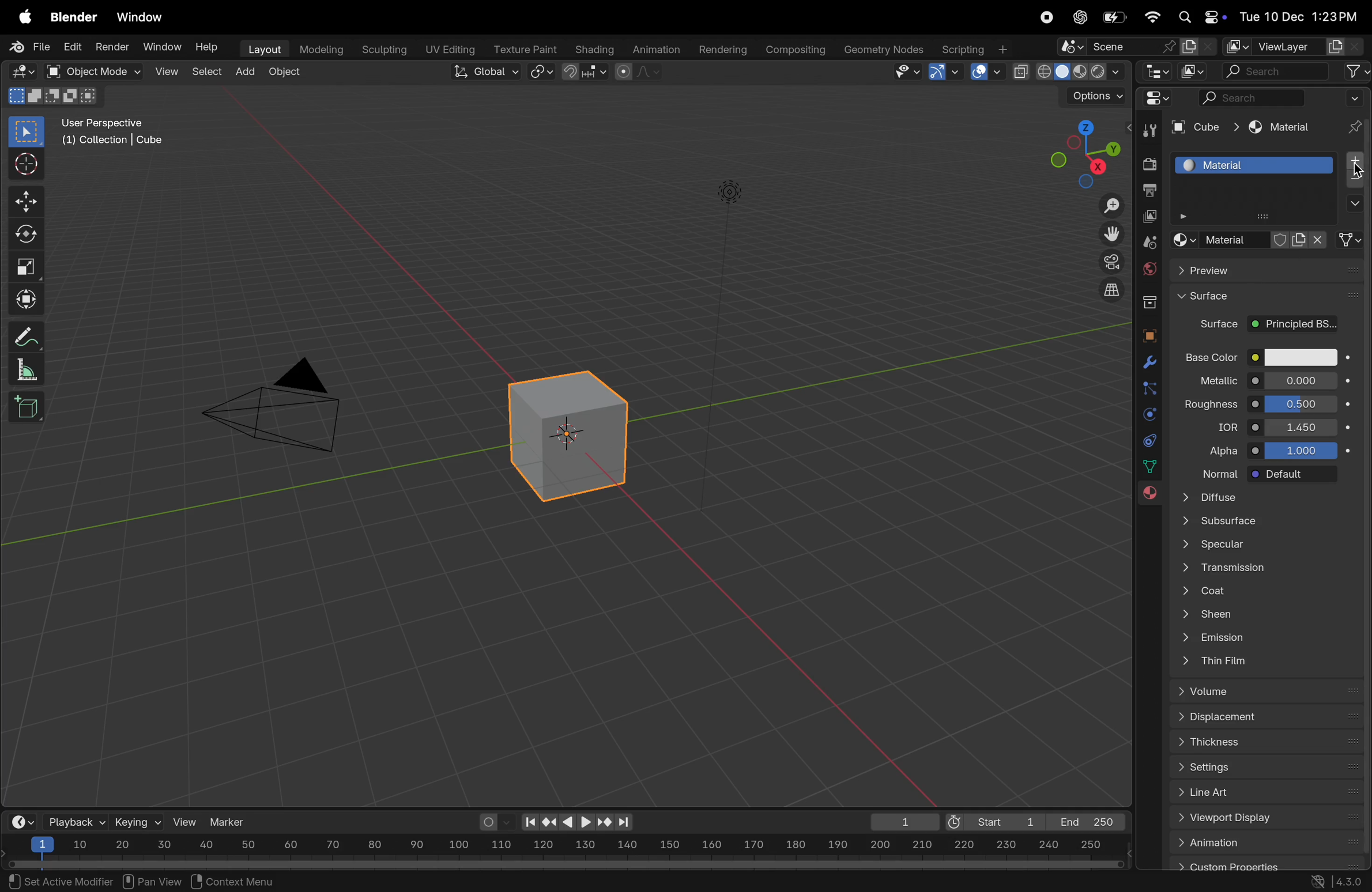 The width and height of the screenshot is (1372, 892). I want to click on transform point, so click(586, 72).